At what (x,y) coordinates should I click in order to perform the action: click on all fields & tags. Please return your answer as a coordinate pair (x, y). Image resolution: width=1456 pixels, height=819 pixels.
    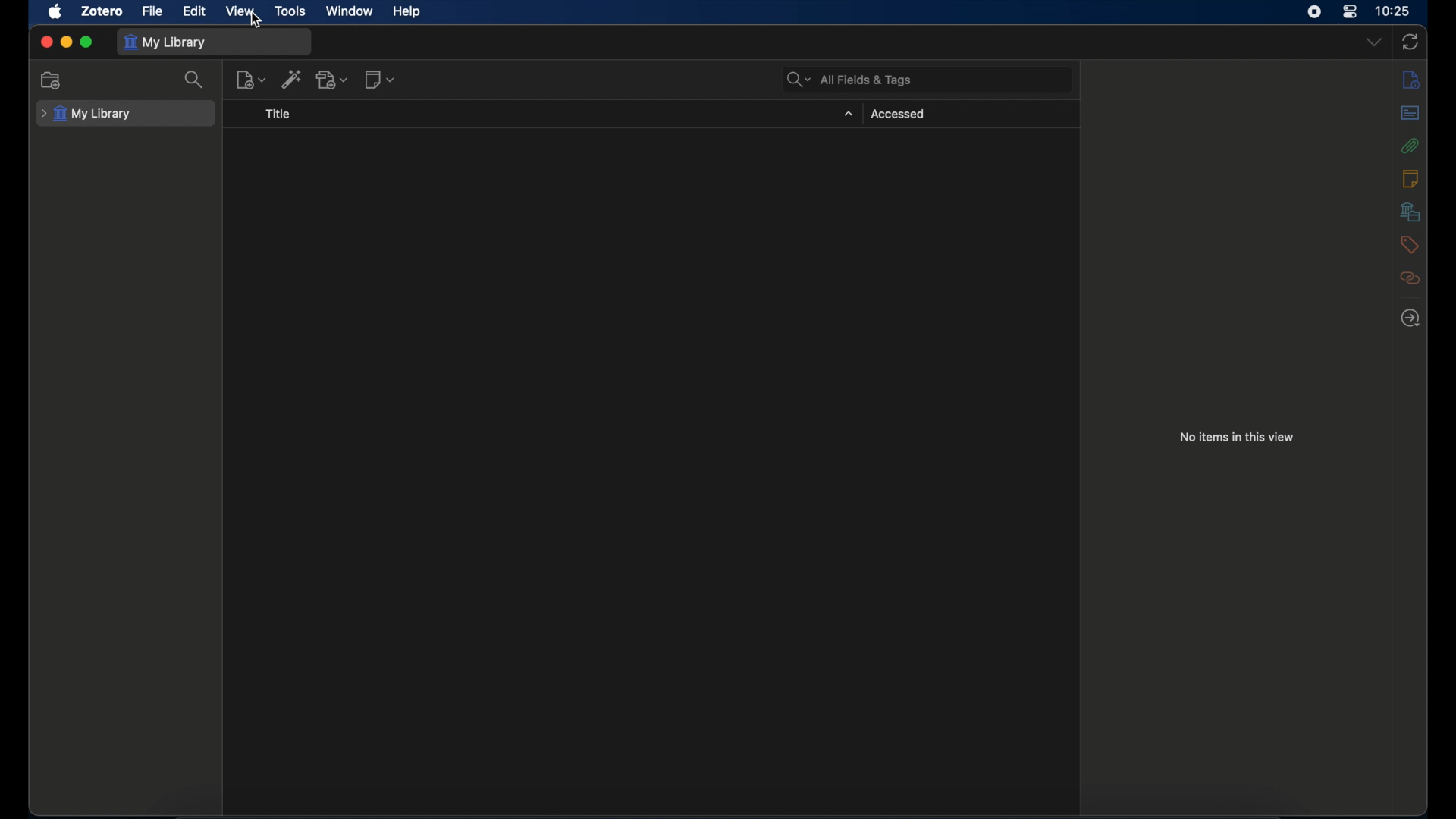
    Looking at the image, I should click on (850, 79).